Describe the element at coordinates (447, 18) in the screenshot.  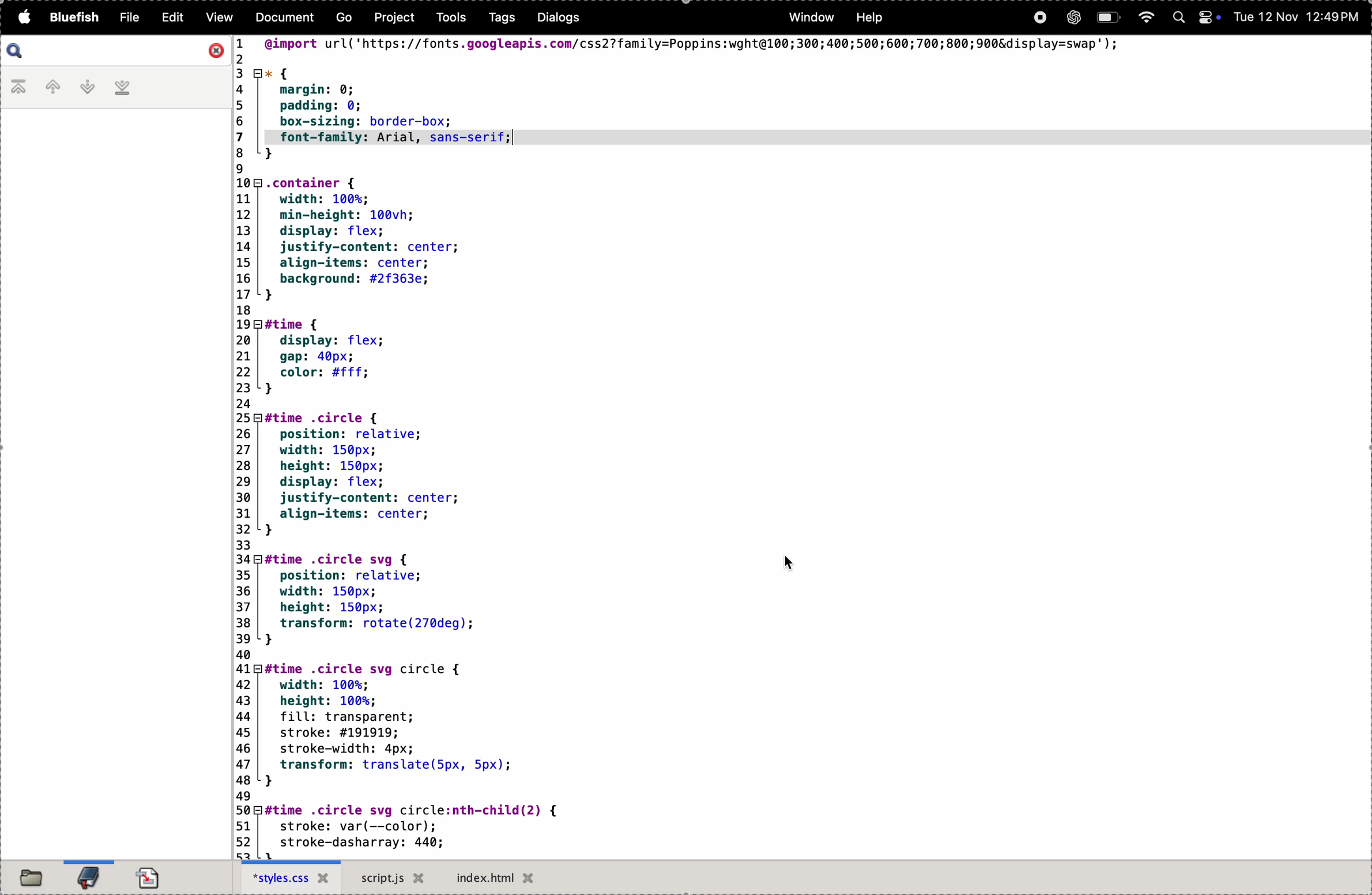
I see `tools` at that location.